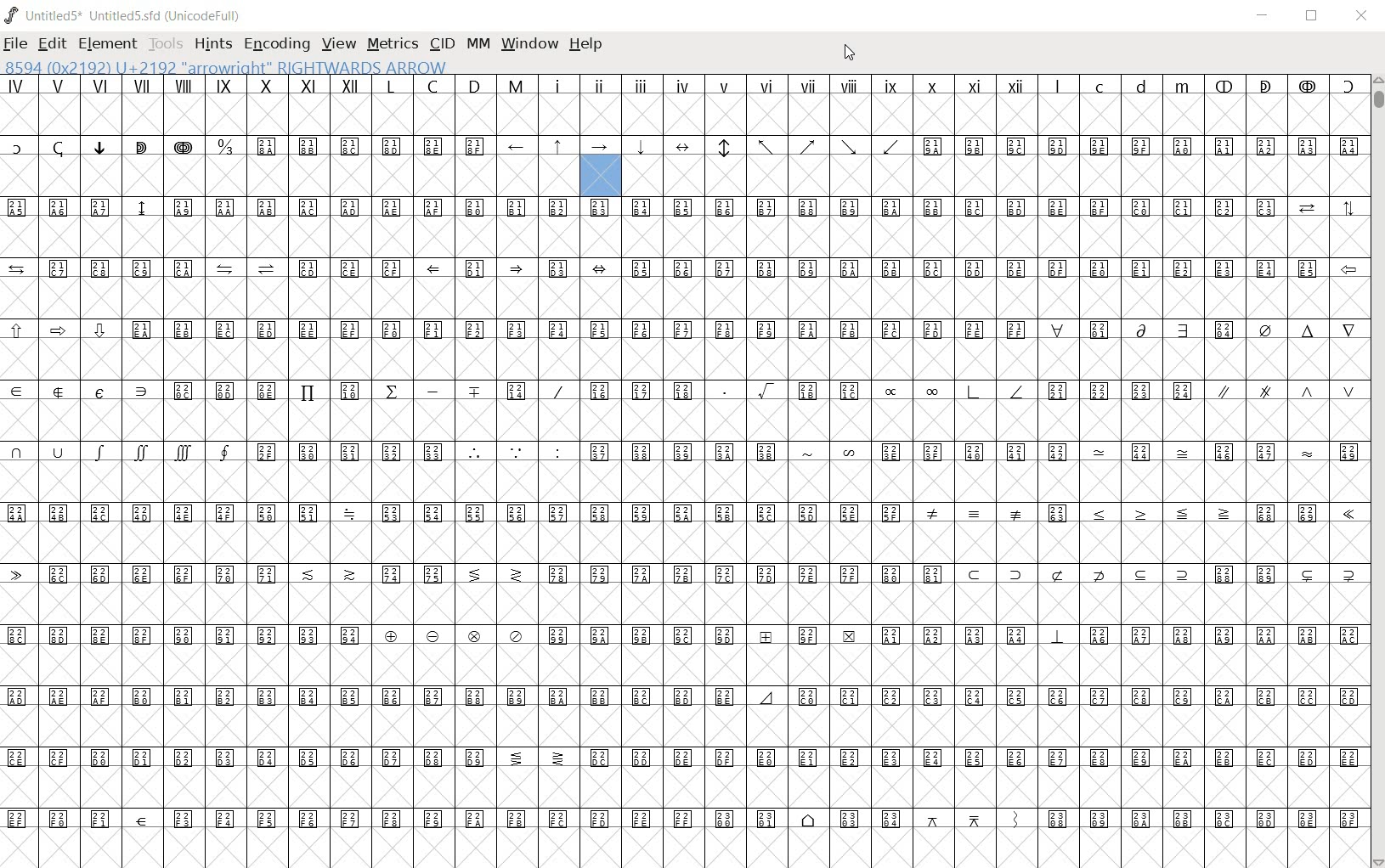  I want to click on ENCODING, so click(275, 43).